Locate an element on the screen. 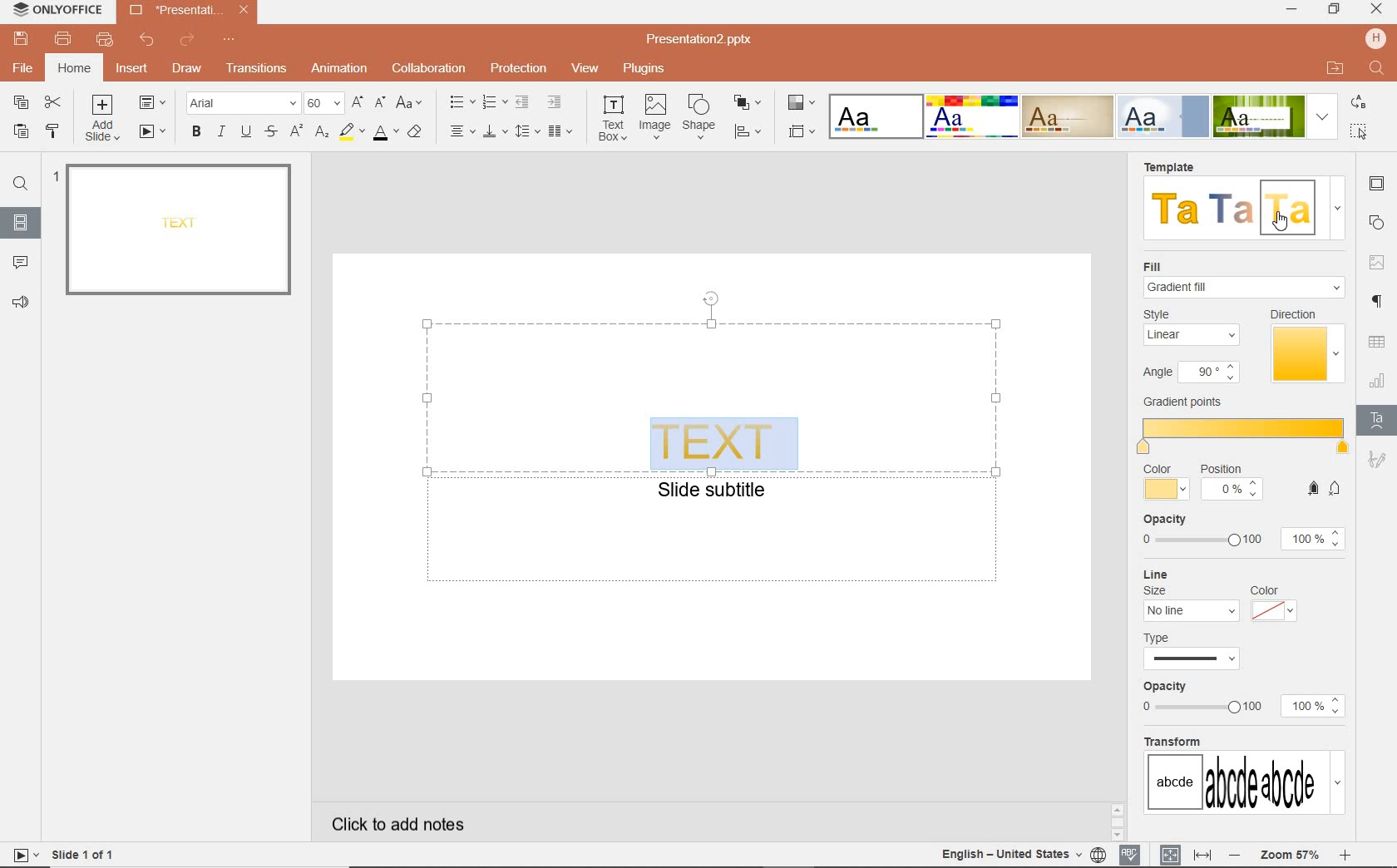  color is located at coordinates (1163, 485).